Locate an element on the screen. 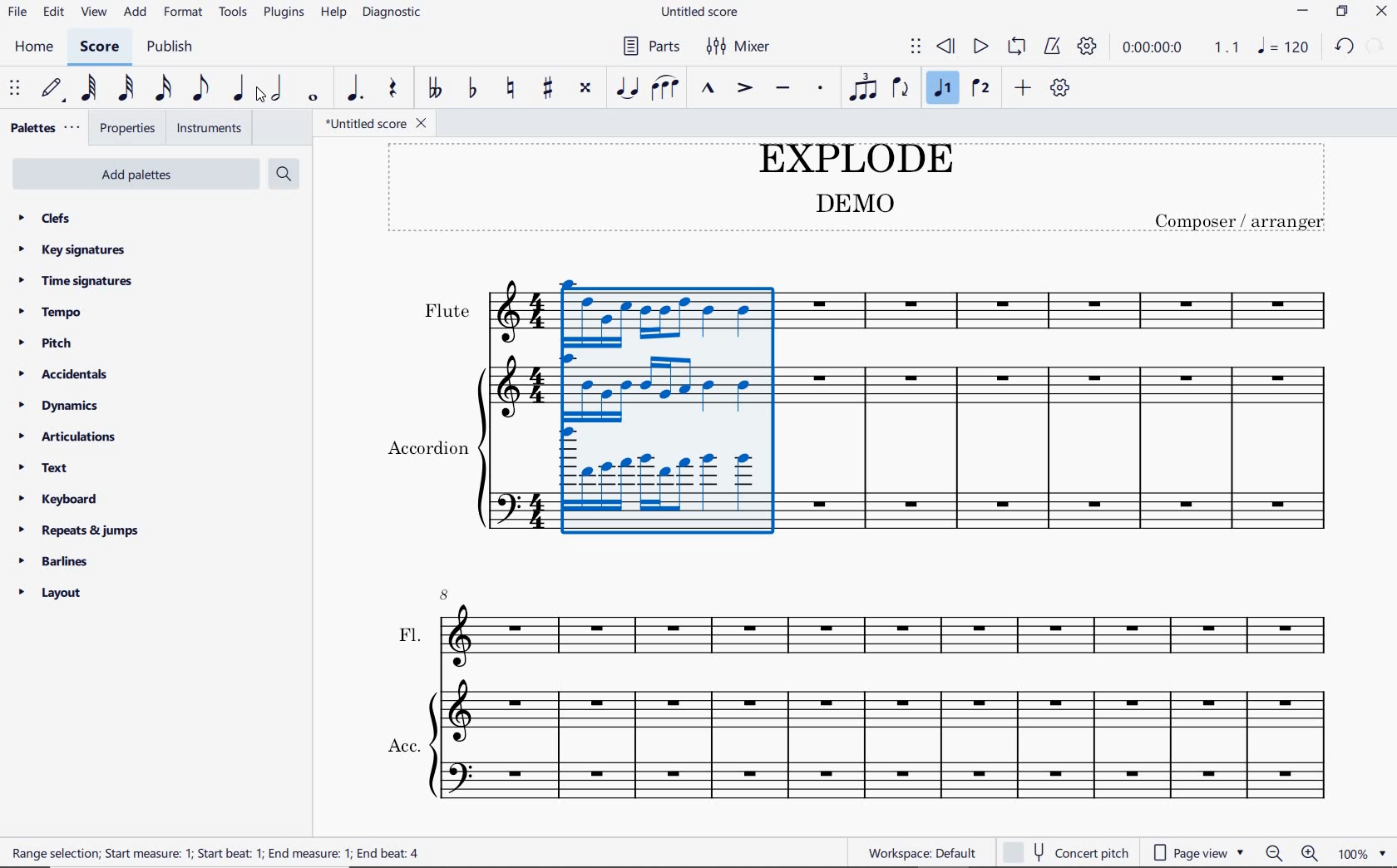  explode added is located at coordinates (658, 455).